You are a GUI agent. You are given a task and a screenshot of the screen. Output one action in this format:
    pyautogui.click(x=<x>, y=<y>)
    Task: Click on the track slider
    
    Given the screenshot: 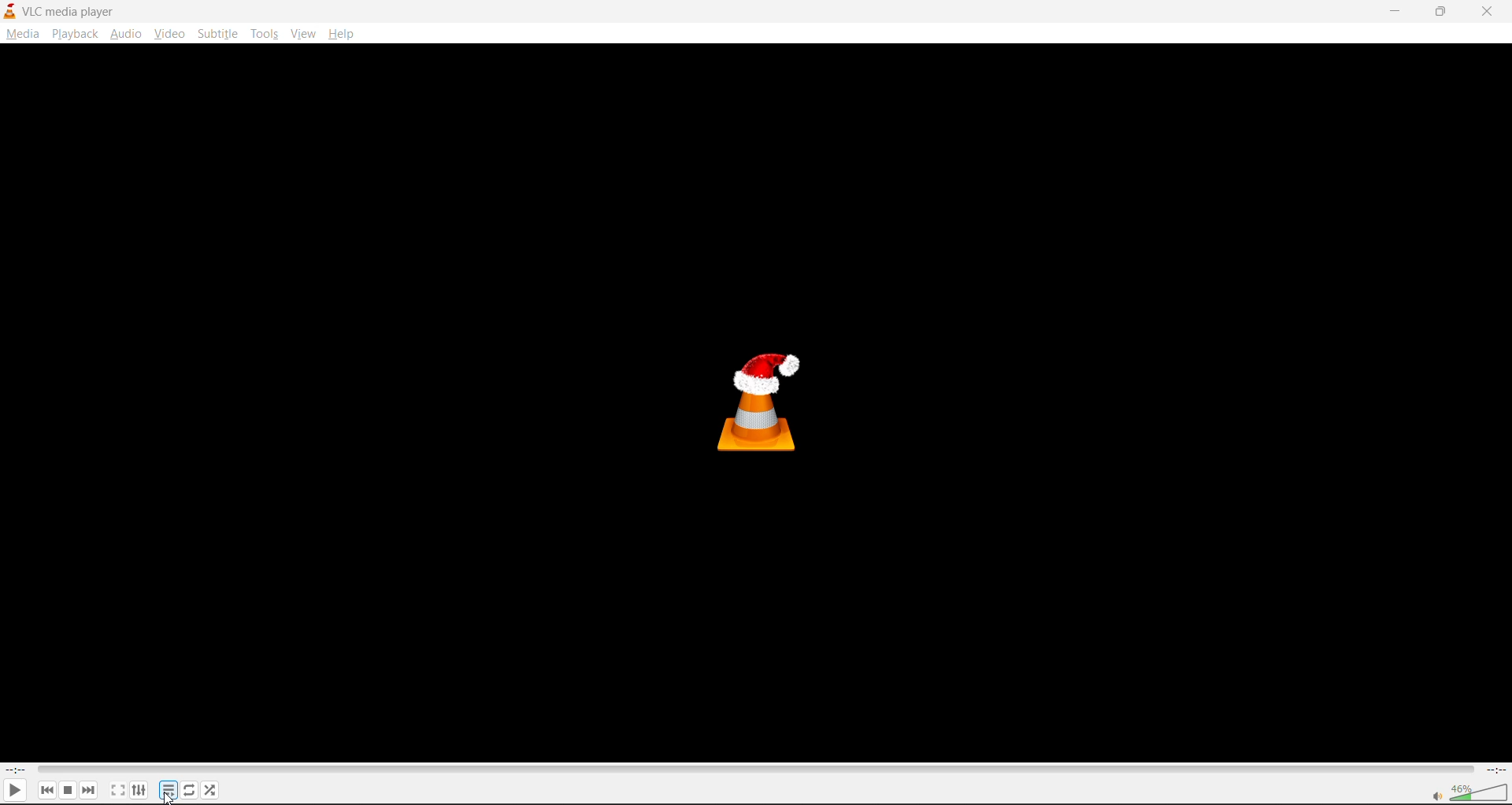 What is the action you would take?
    pyautogui.click(x=751, y=768)
    